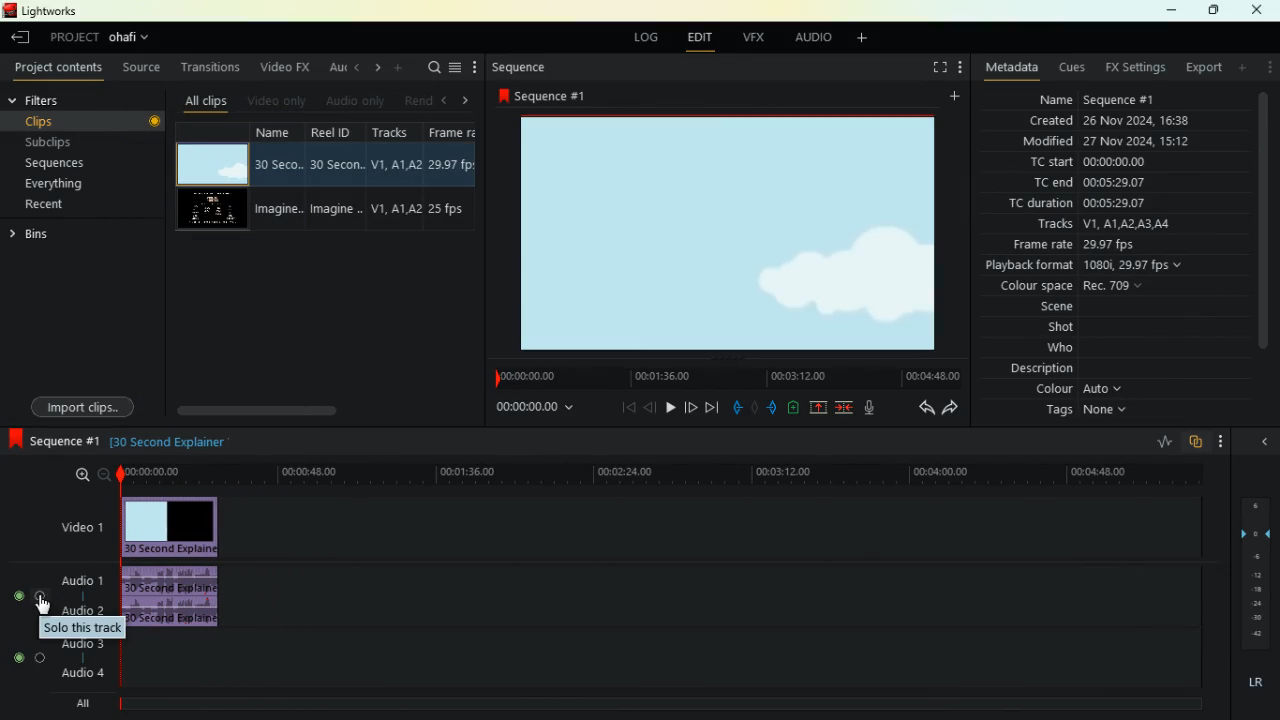 This screenshot has height=720, width=1280. I want to click on video 1, so click(82, 529).